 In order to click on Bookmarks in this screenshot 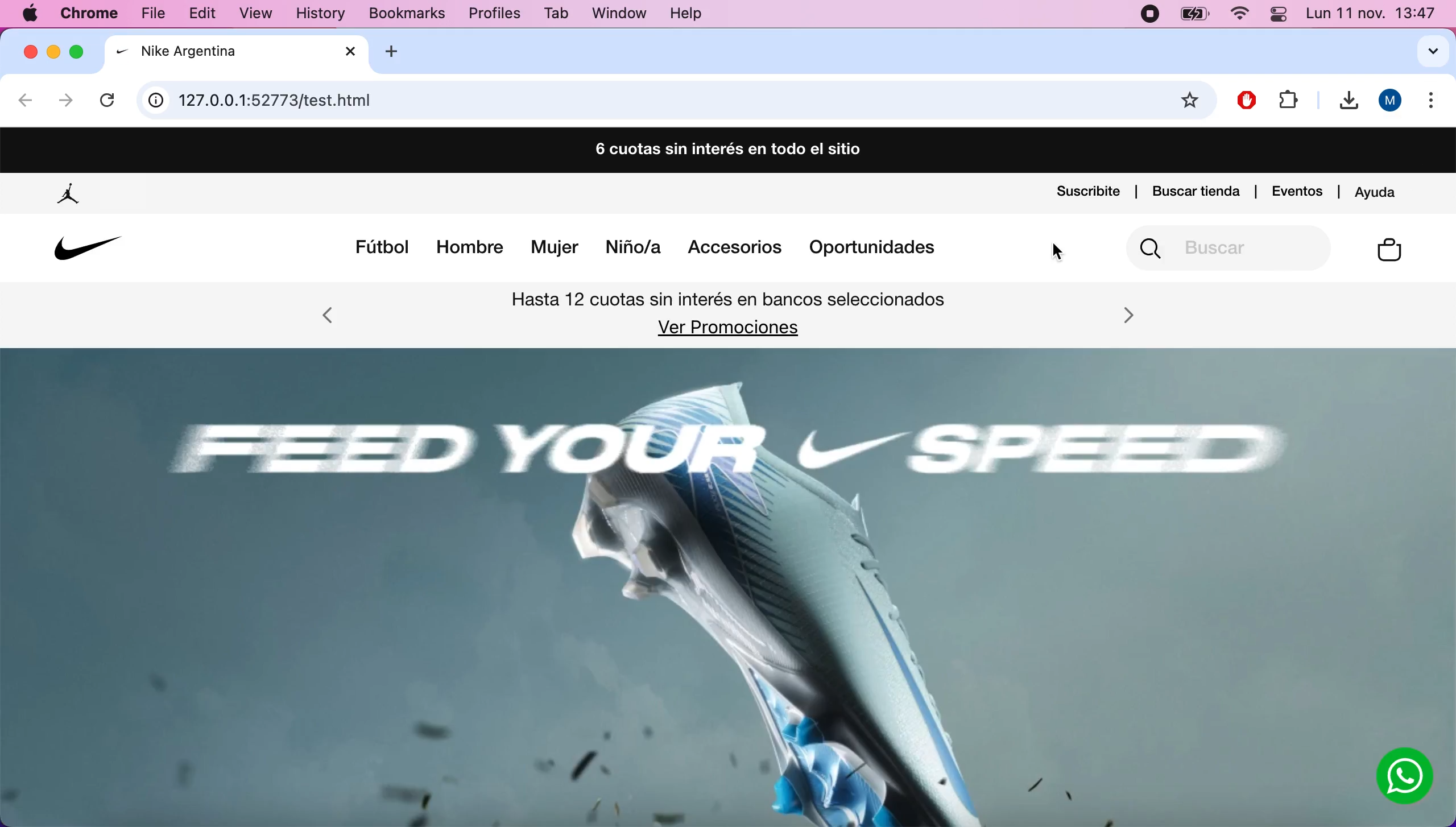, I will do `click(398, 14)`.